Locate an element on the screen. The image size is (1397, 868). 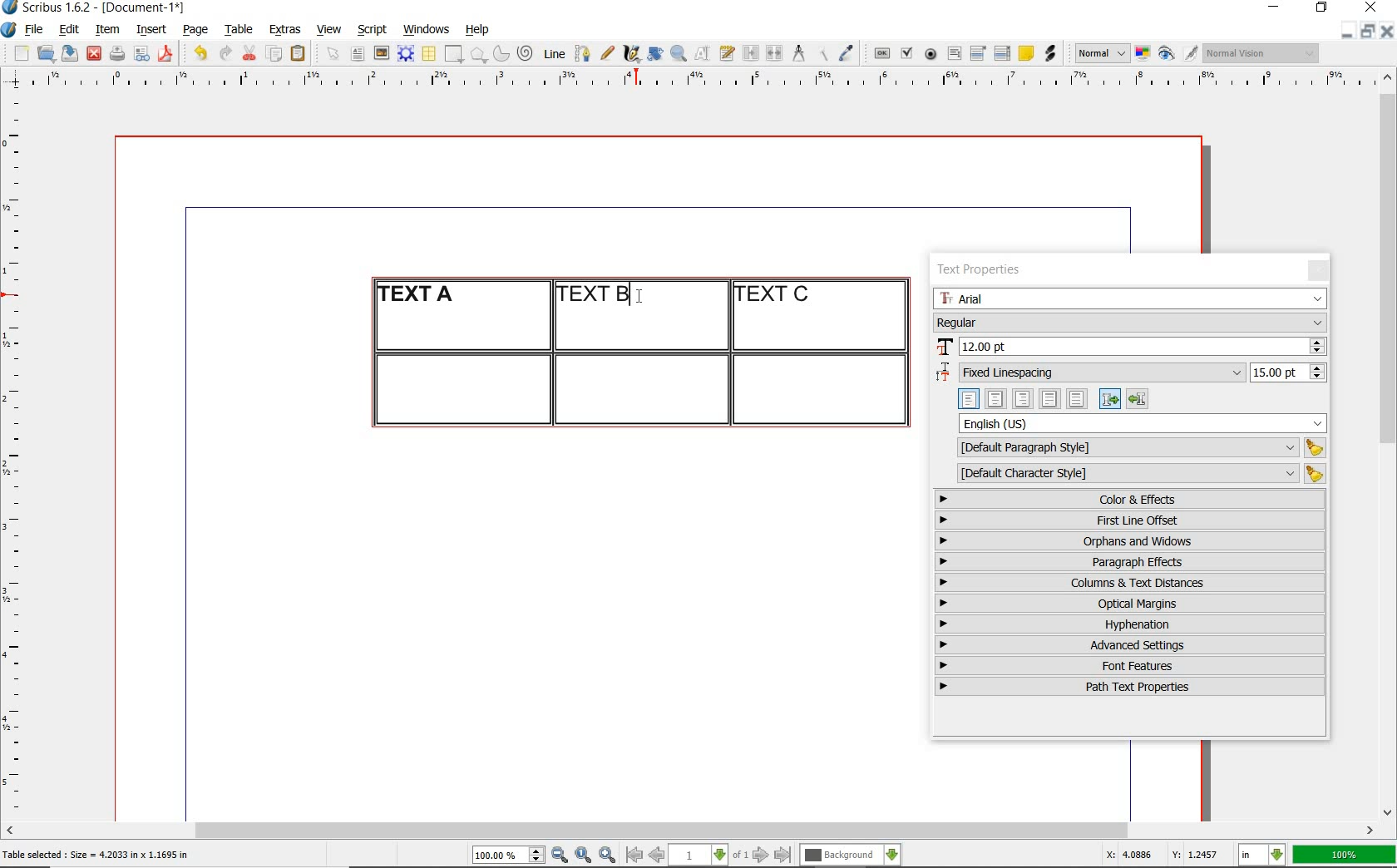
preflight verifier is located at coordinates (142, 55).